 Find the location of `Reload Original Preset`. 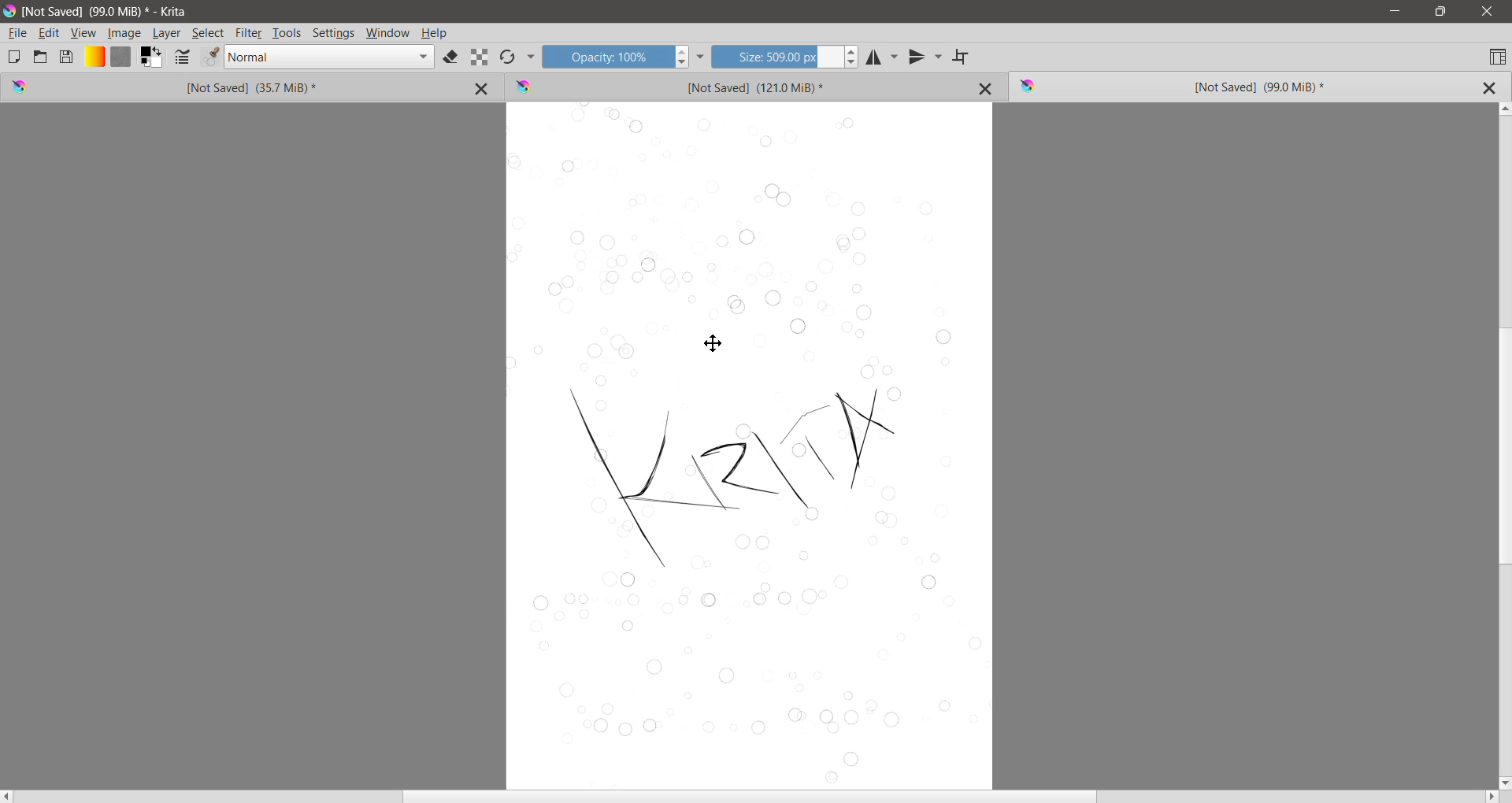

Reload Original Preset is located at coordinates (507, 57).